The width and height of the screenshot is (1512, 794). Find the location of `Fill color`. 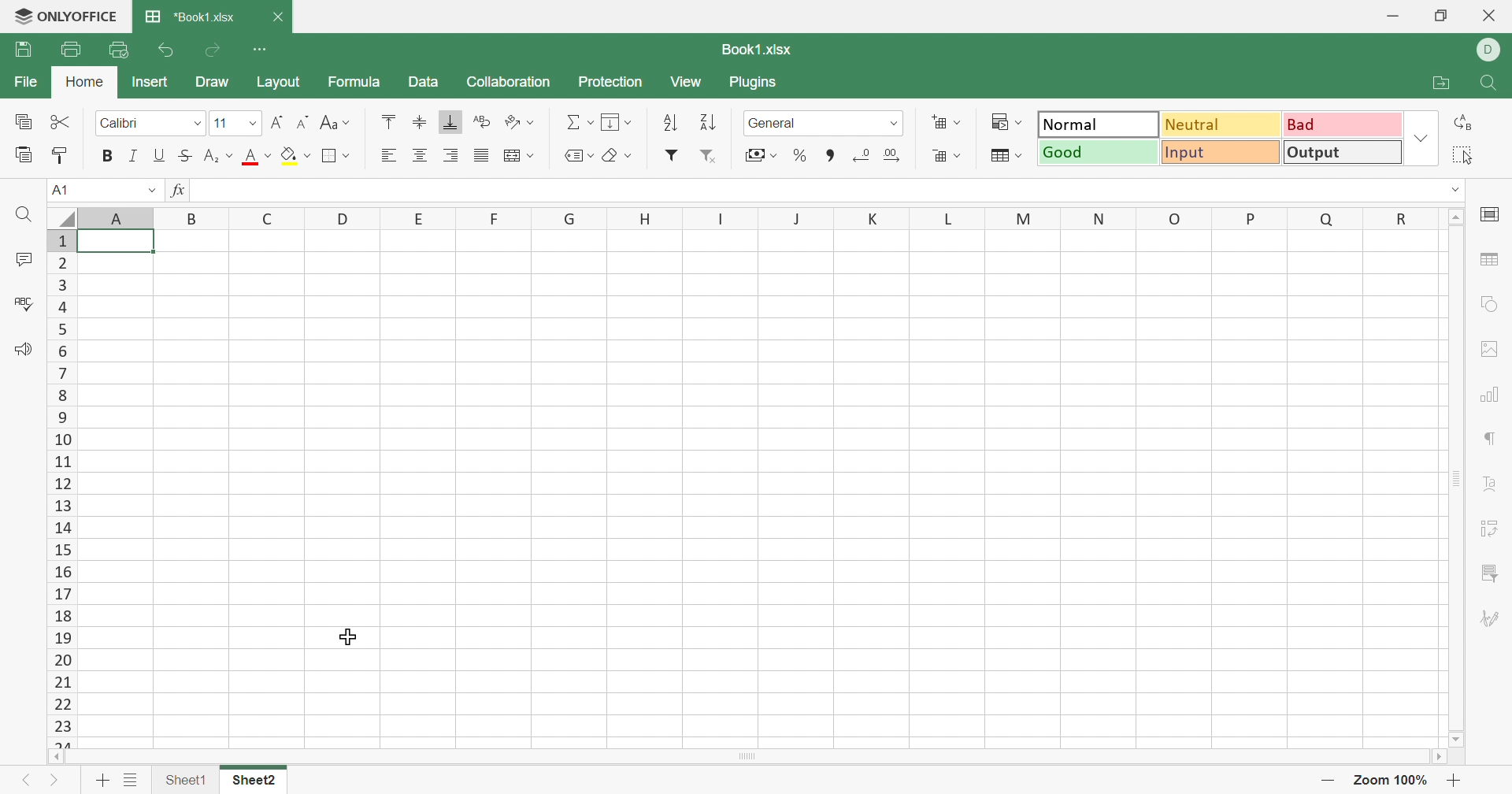

Fill color is located at coordinates (287, 152).